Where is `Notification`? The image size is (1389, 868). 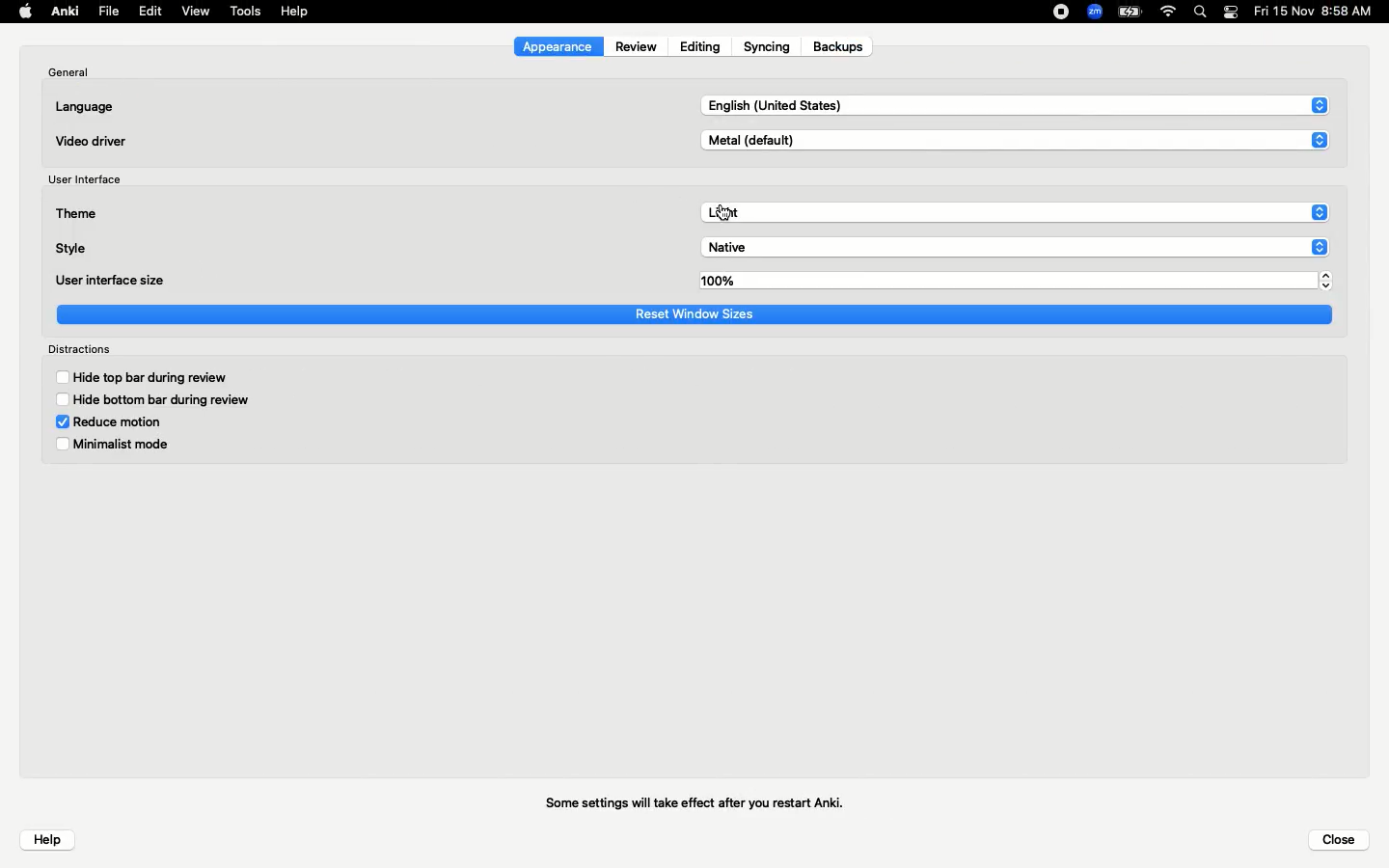 Notification is located at coordinates (1231, 14).